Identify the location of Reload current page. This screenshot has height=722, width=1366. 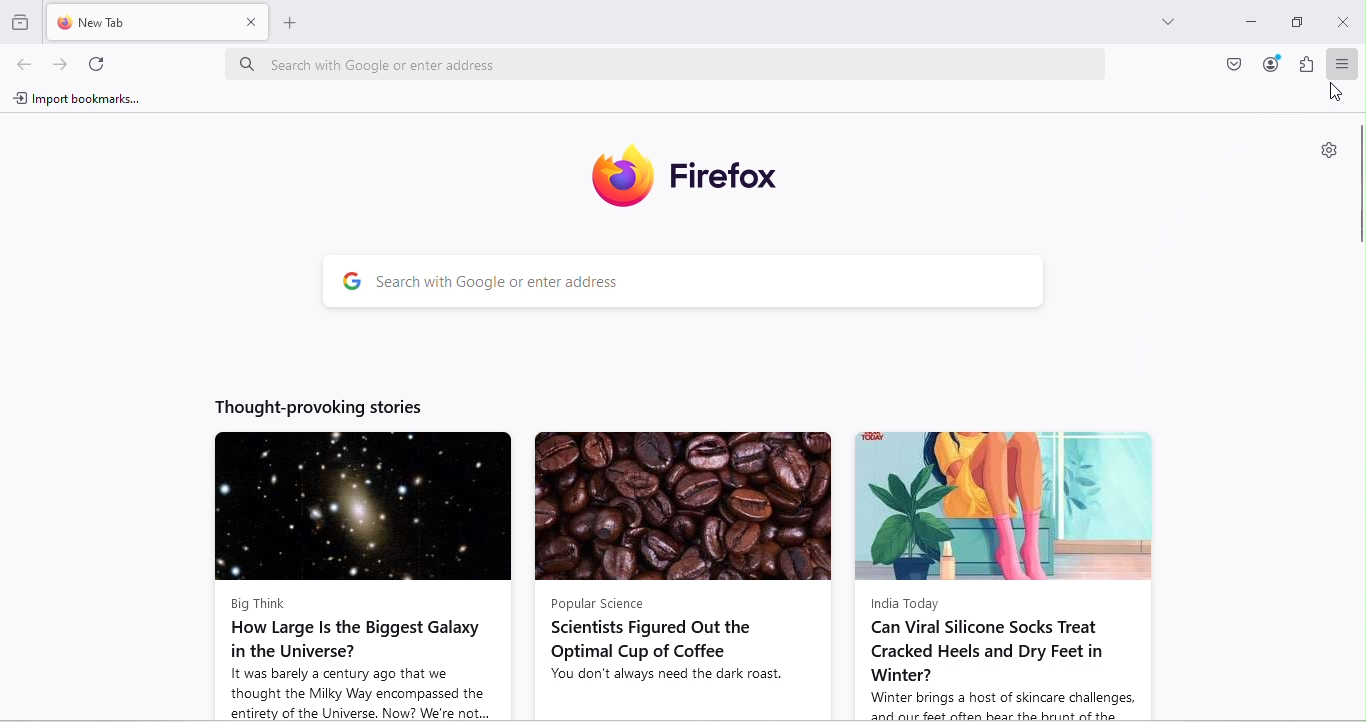
(99, 64).